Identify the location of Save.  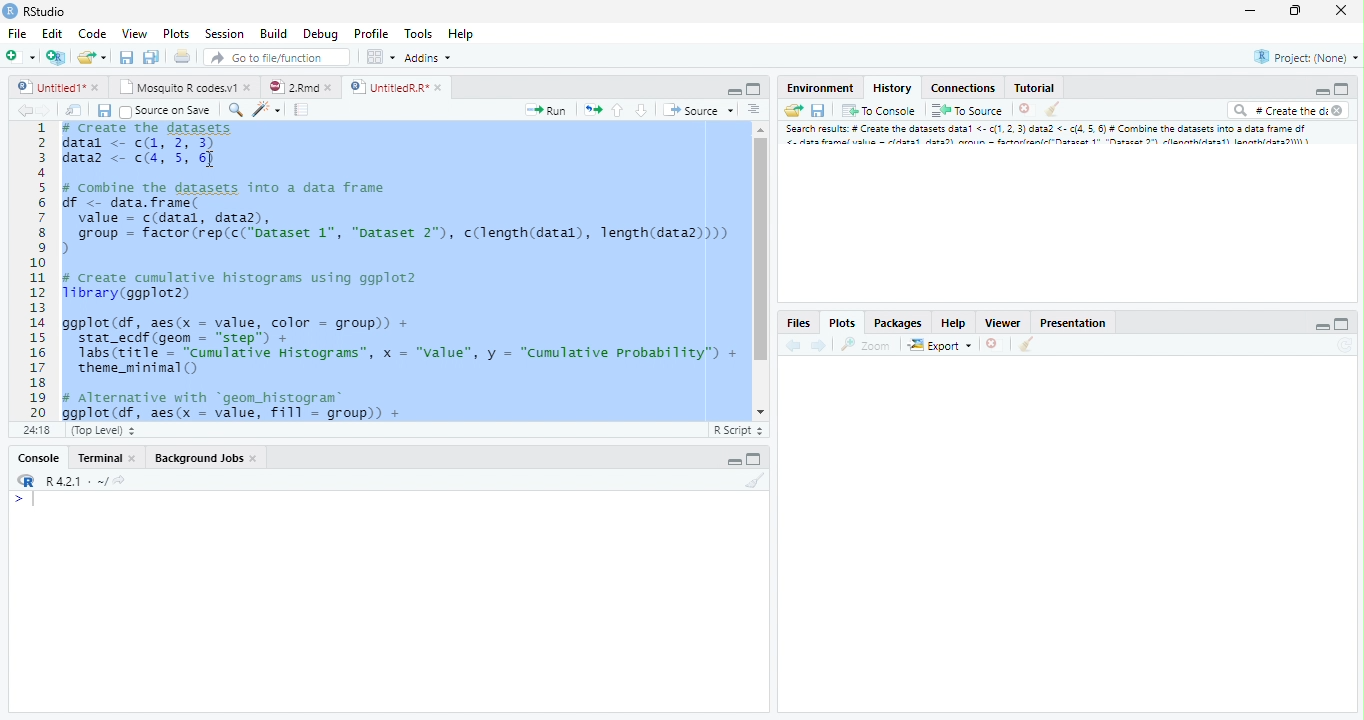
(126, 57).